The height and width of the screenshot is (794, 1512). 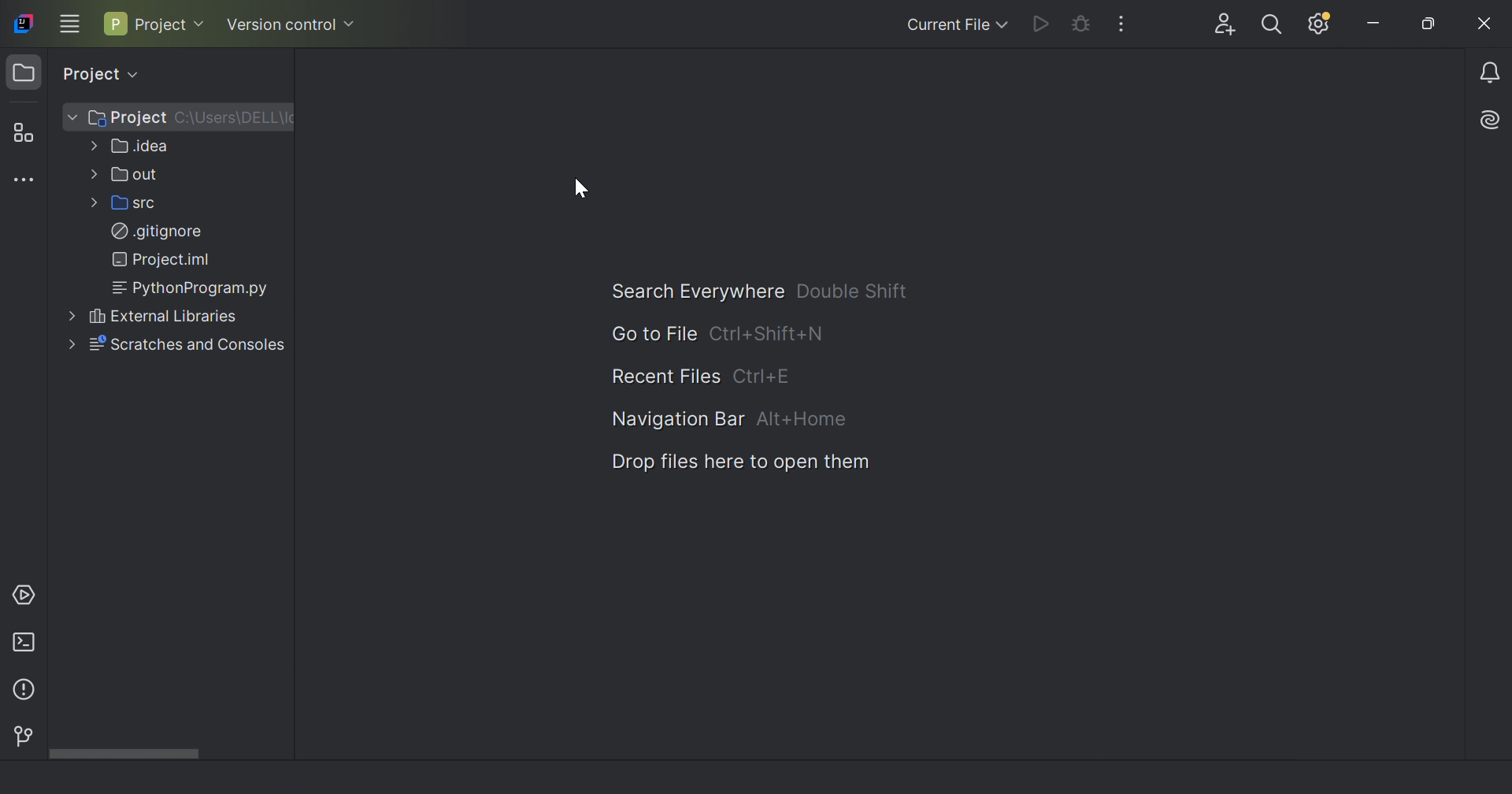 What do you see at coordinates (665, 377) in the screenshot?
I see `Recent file` at bounding box center [665, 377].